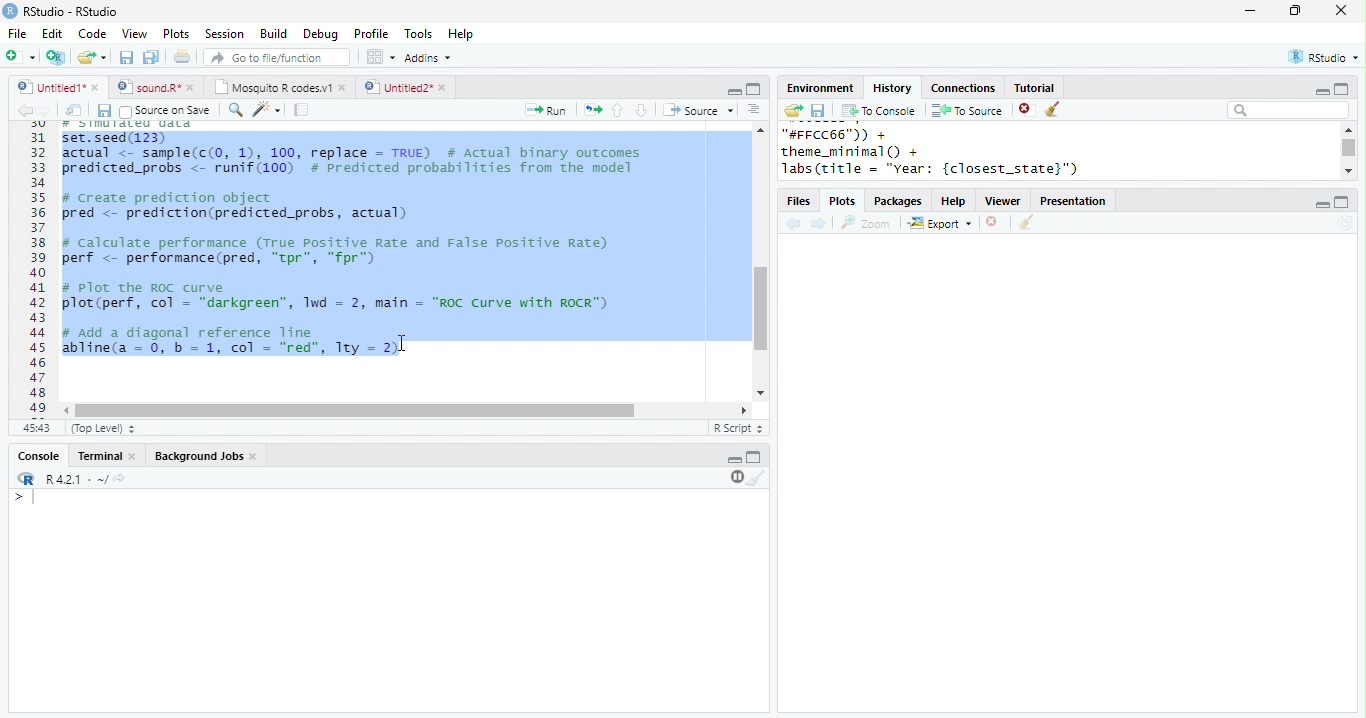 The height and width of the screenshot is (718, 1366). I want to click on clear, so click(757, 477).